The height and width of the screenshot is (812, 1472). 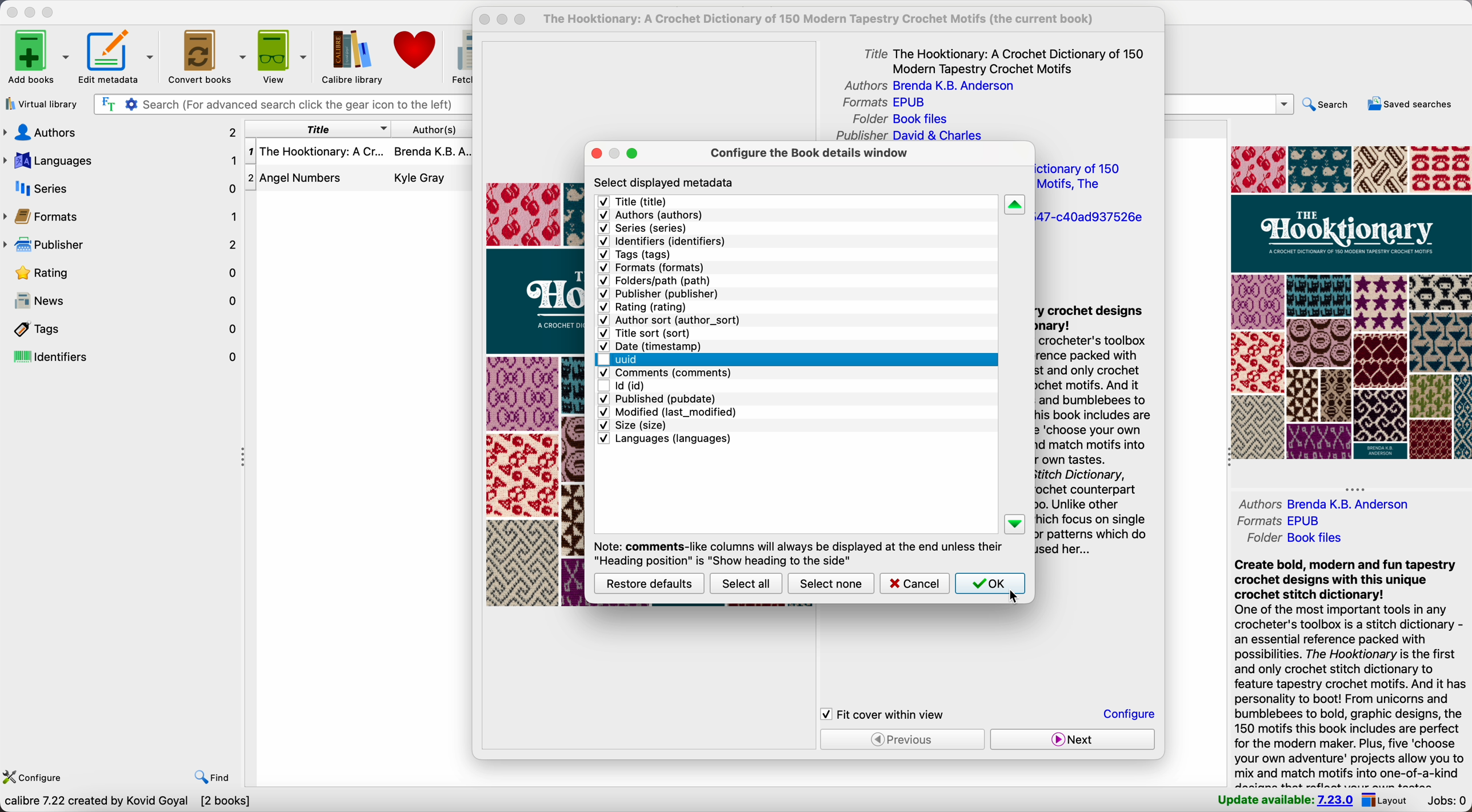 What do you see at coordinates (1015, 205) in the screenshot?
I see `up` at bounding box center [1015, 205].